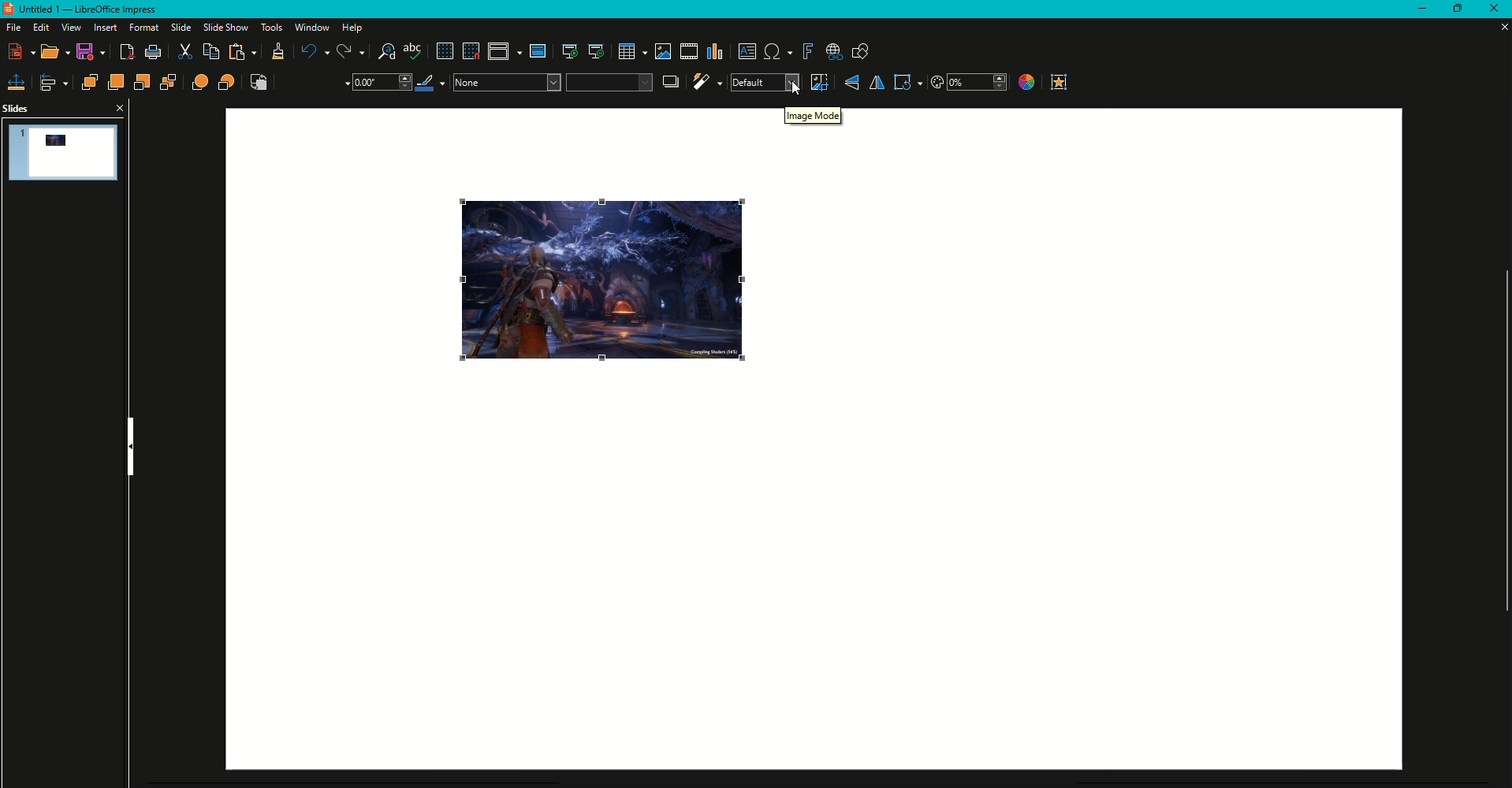 The image size is (1512, 788). I want to click on Slide, so click(177, 28).